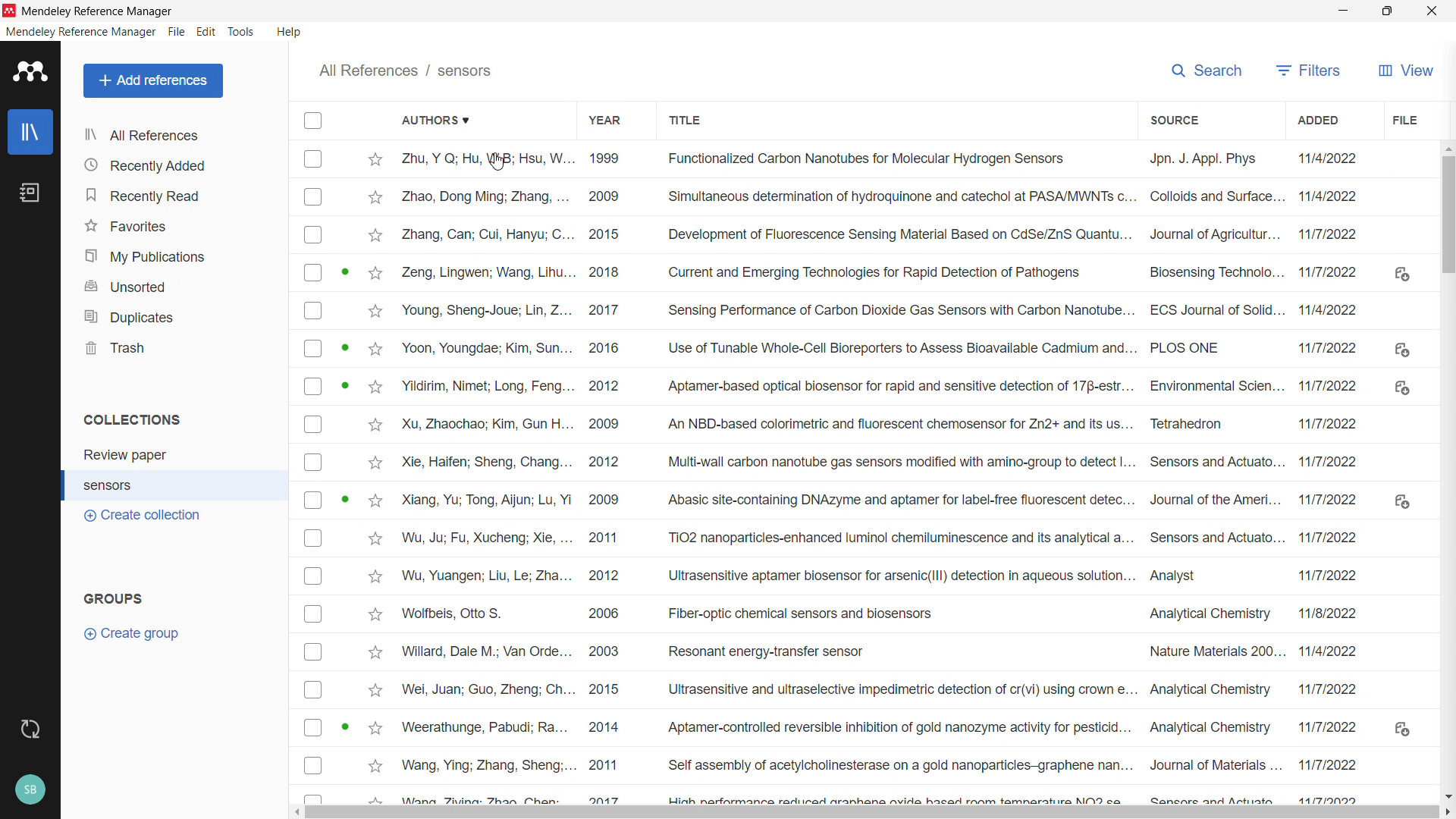 The image size is (1456, 819). I want to click on File , so click(177, 32).